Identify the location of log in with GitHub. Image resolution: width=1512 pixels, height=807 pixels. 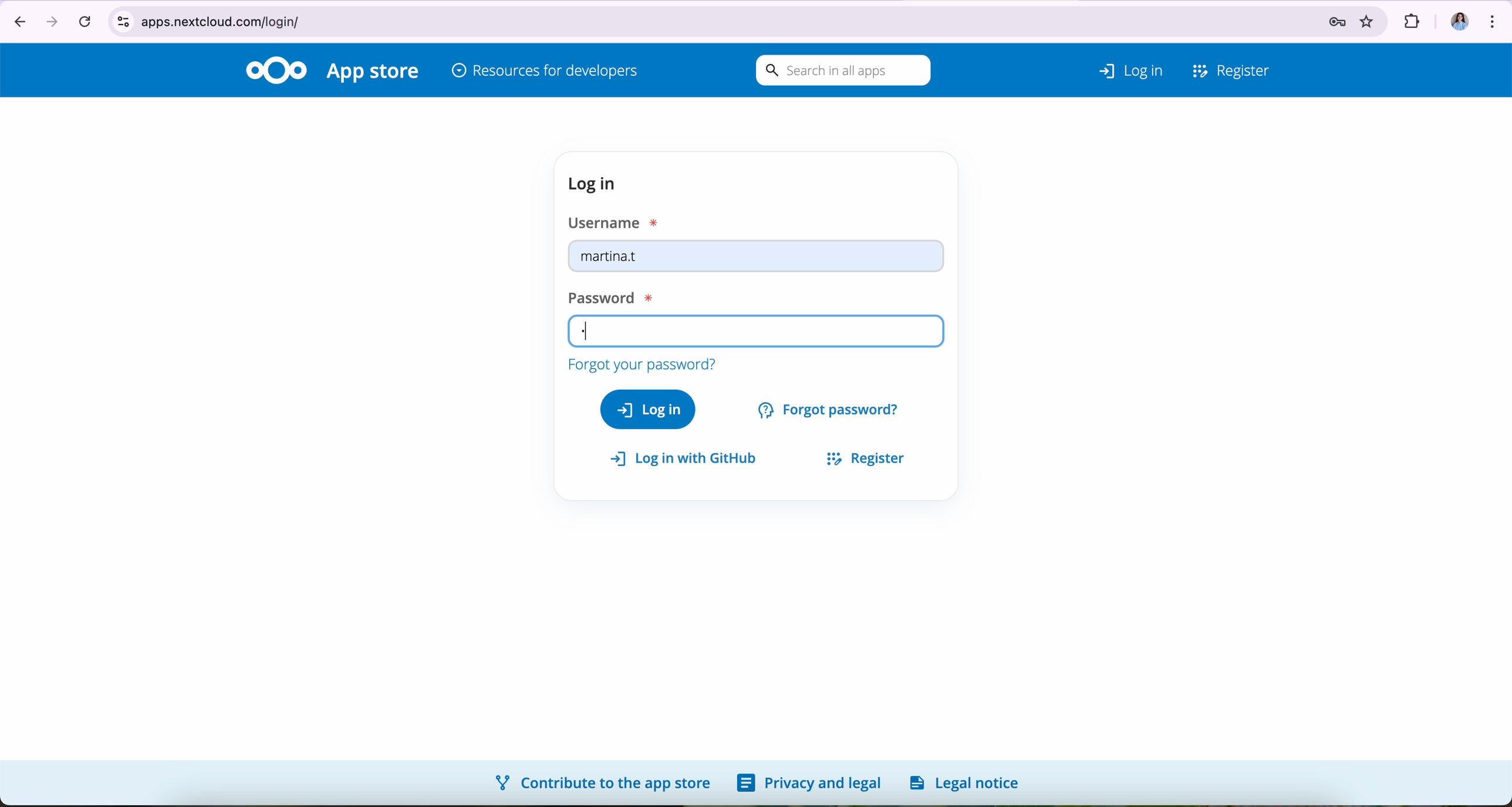
(689, 459).